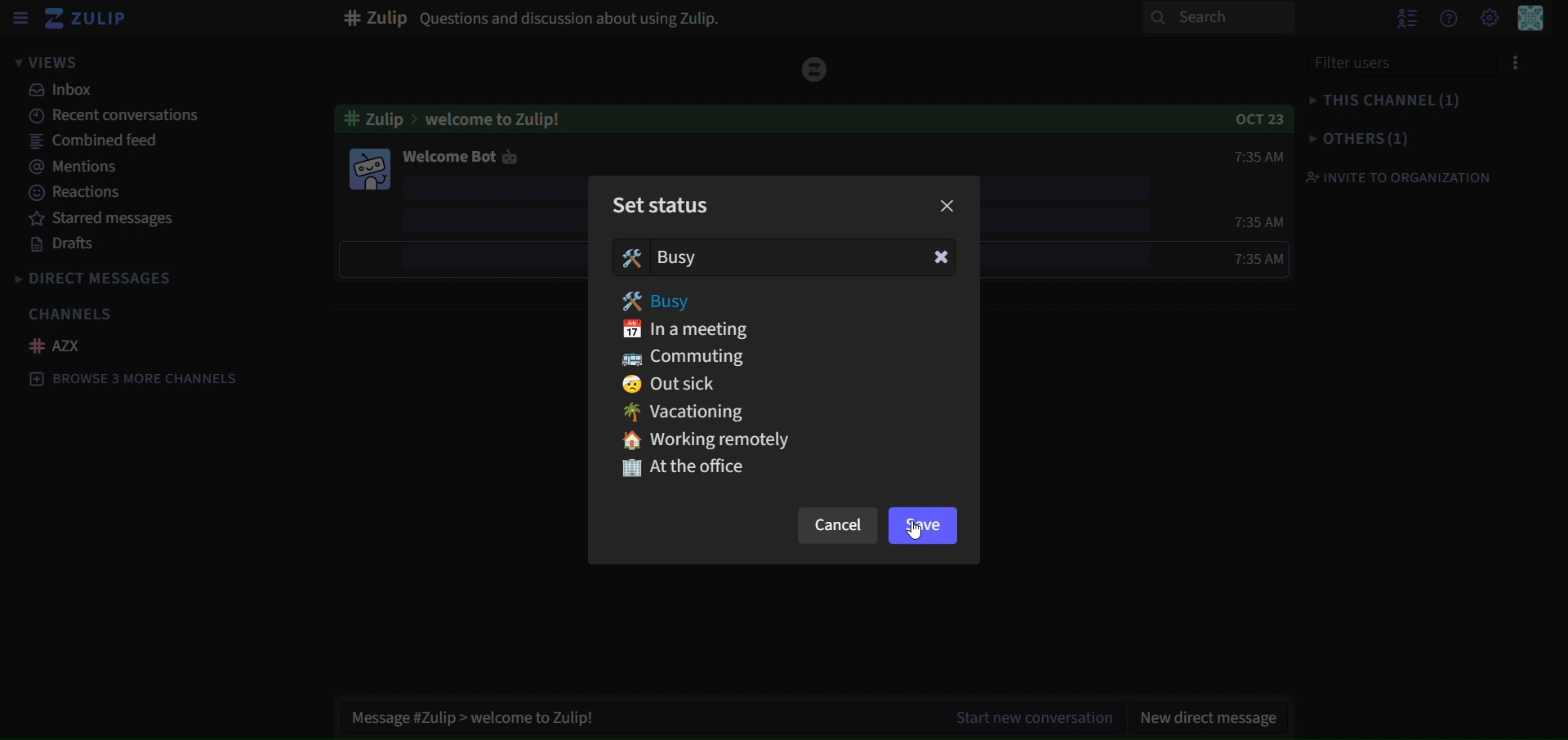 The height and width of the screenshot is (740, 1568). What do you see at coordinates (1258, 219) in the screenshot?
I see `7:35am` at bounding box center [1258, 219].